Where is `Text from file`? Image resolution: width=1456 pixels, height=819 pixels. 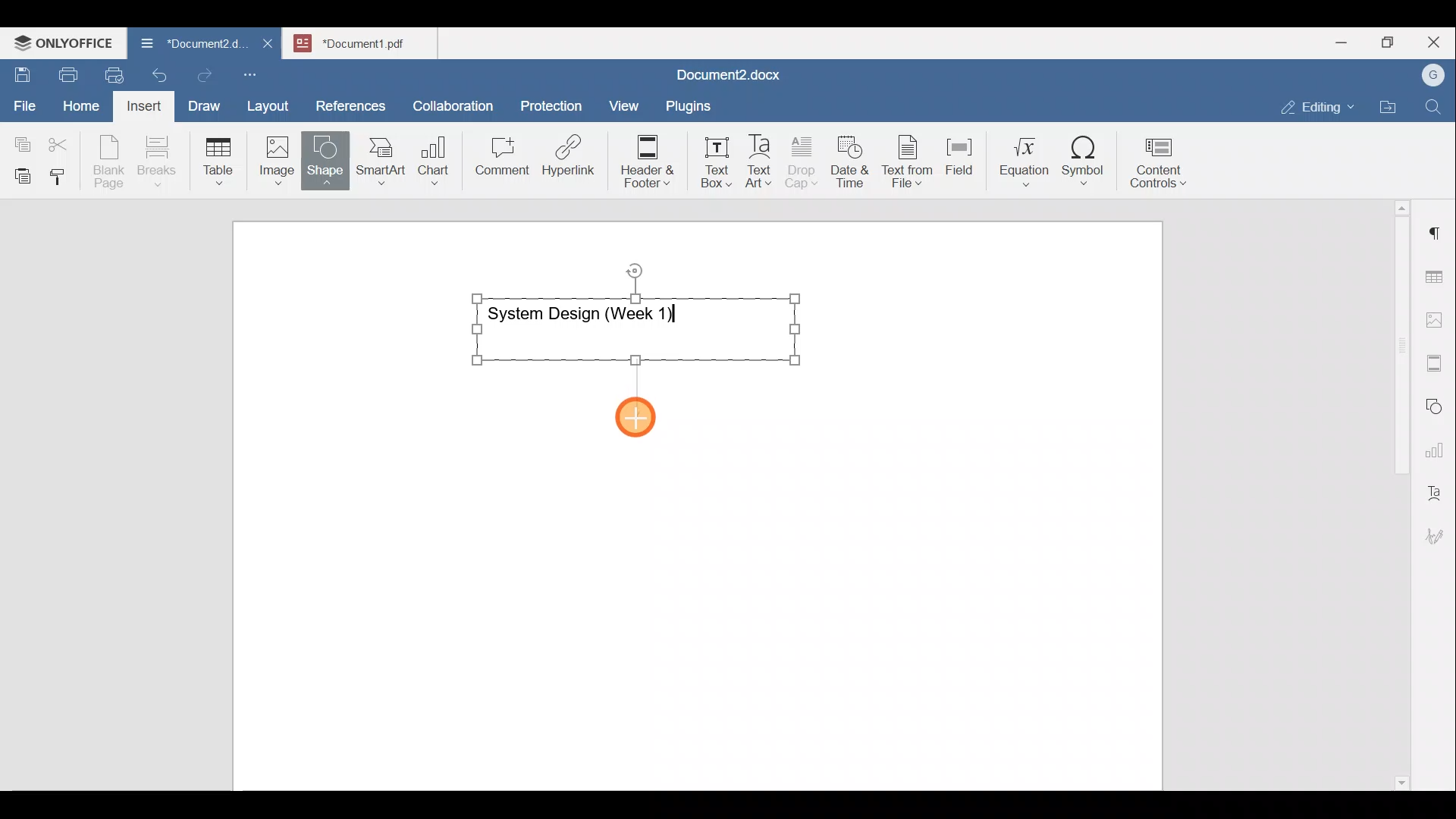
Text from file is located at coordinates (910, 160).